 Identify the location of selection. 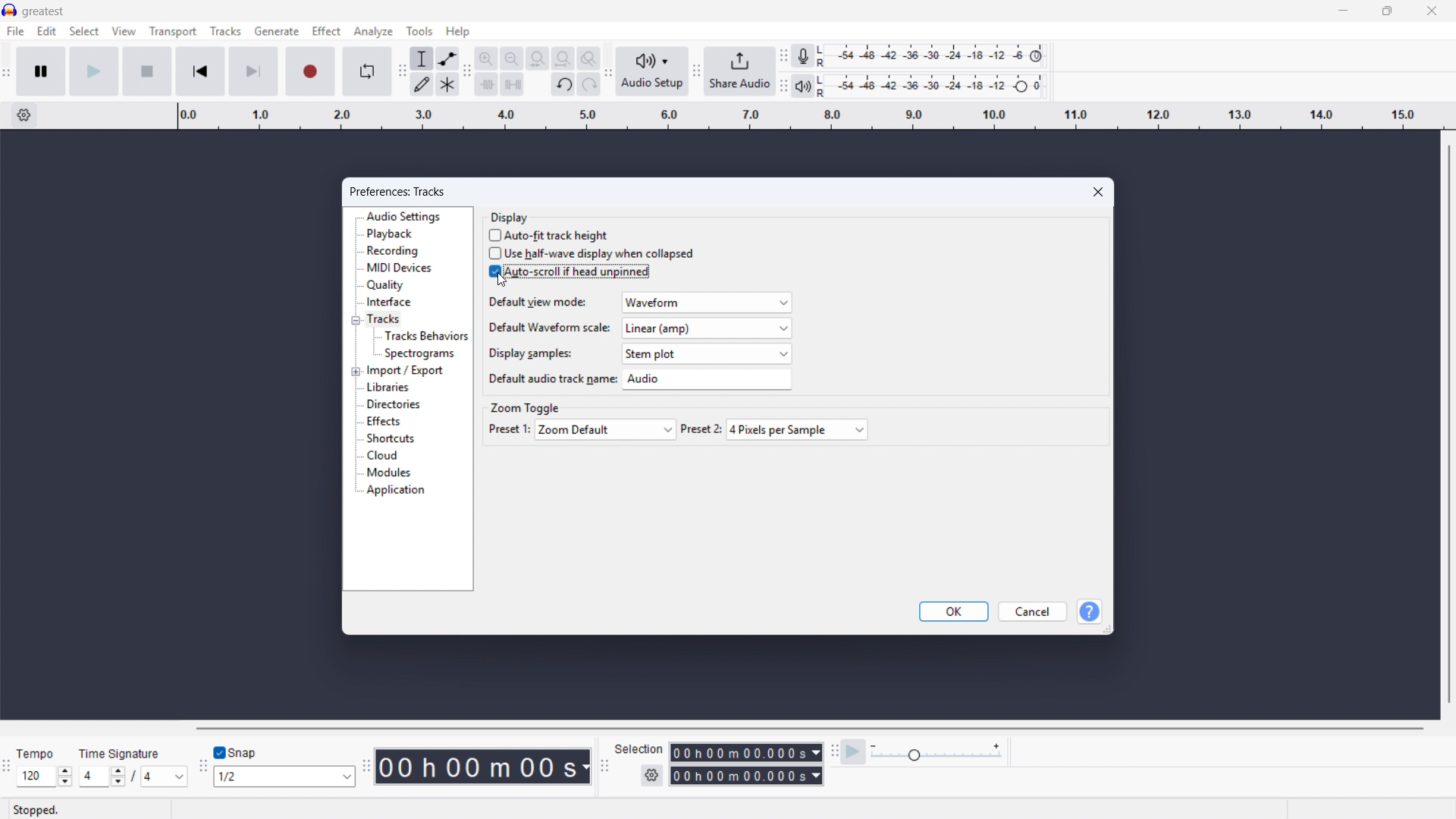
(639, 750).